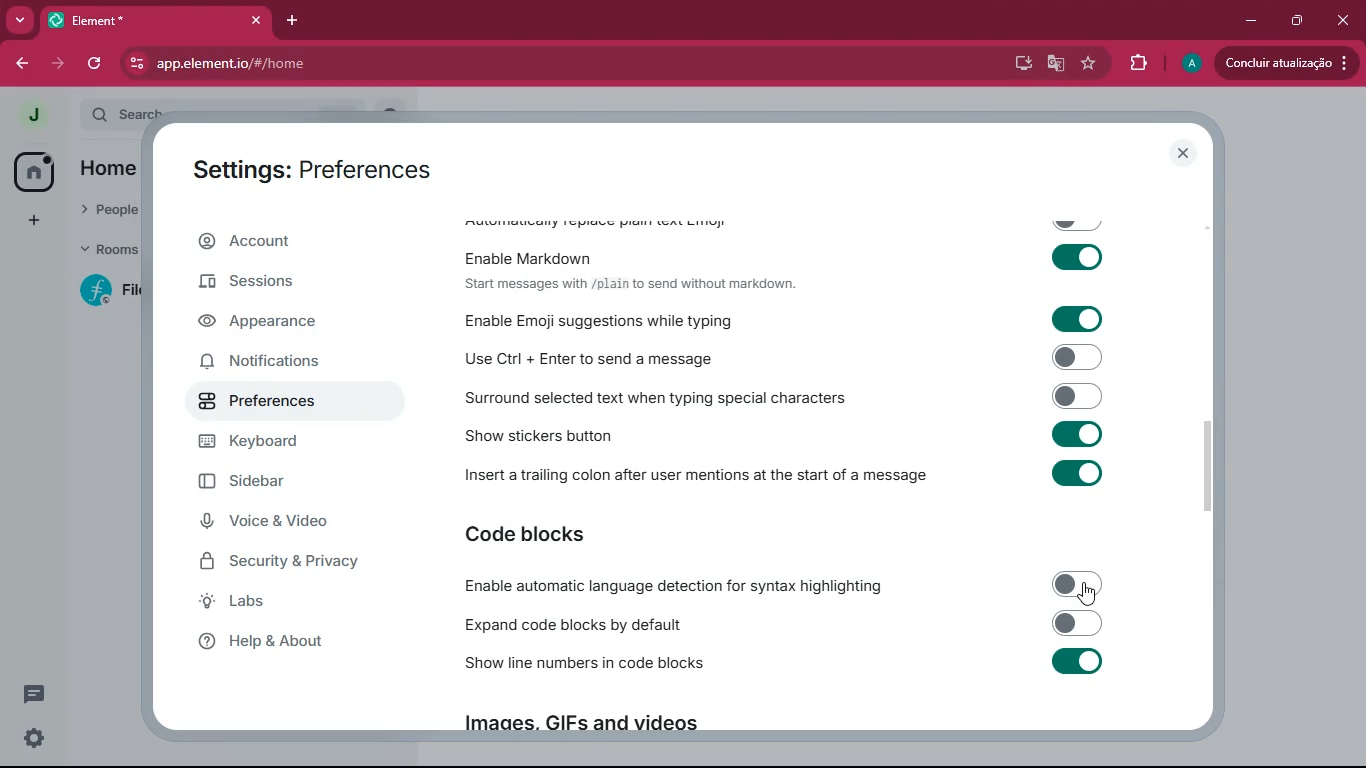  What do you see at coordinates (780, 360) in the screenshot?
I see `Use Ctrl + Enter to send a message` at bounding box center [780, 360].